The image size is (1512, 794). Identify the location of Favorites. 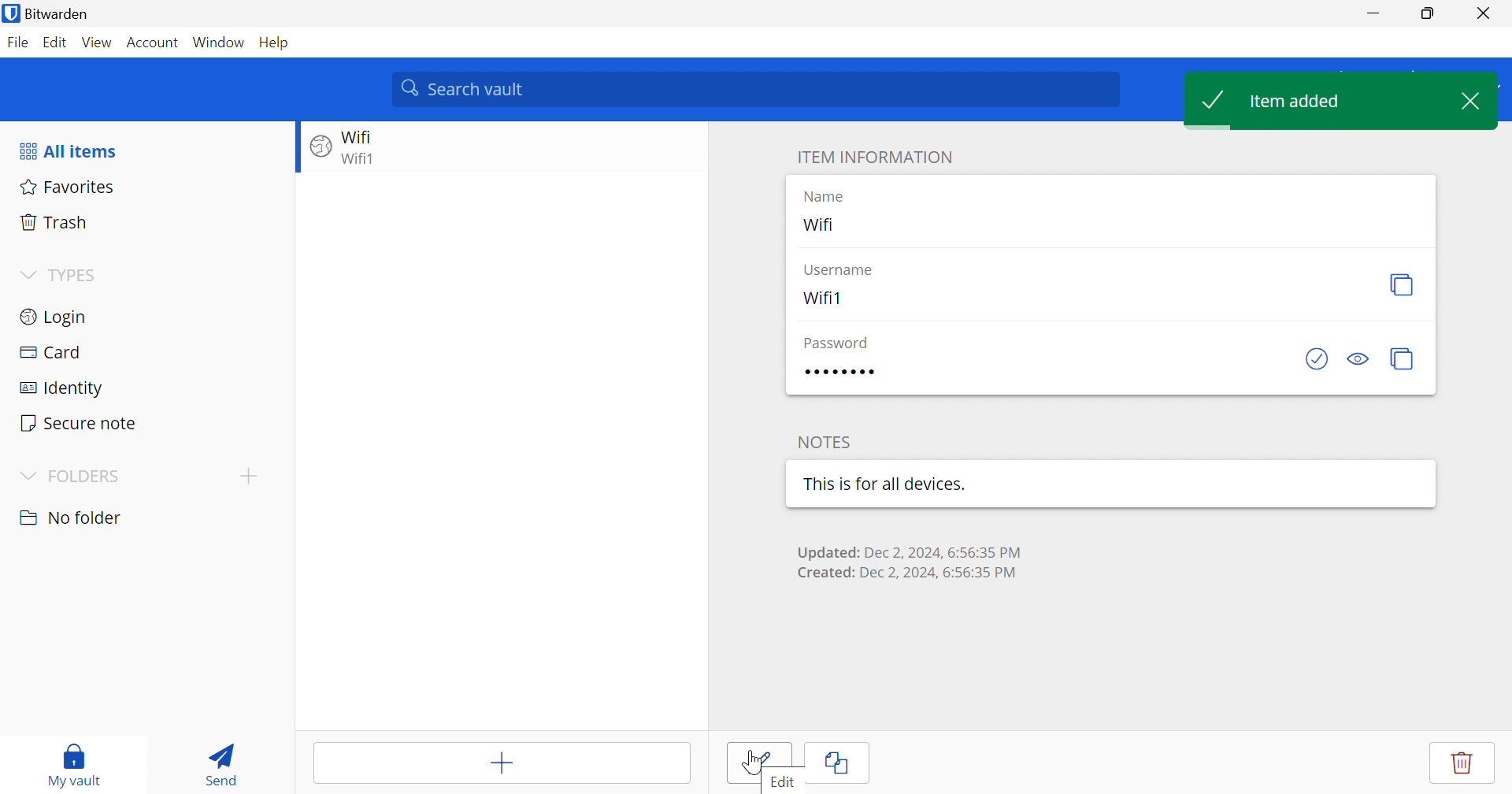
(65, 185).